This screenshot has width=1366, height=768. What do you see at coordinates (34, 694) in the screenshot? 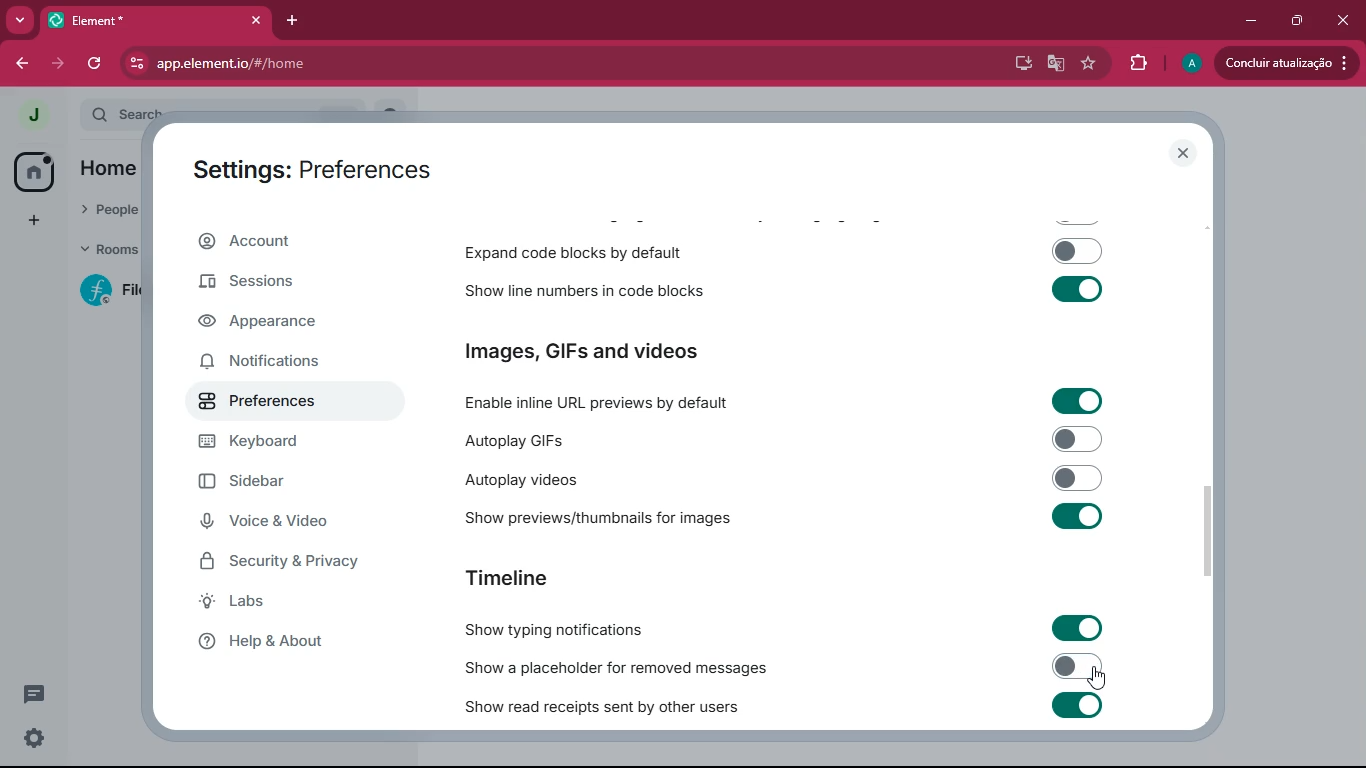
I see `threads` at bounding box center [34, 694].